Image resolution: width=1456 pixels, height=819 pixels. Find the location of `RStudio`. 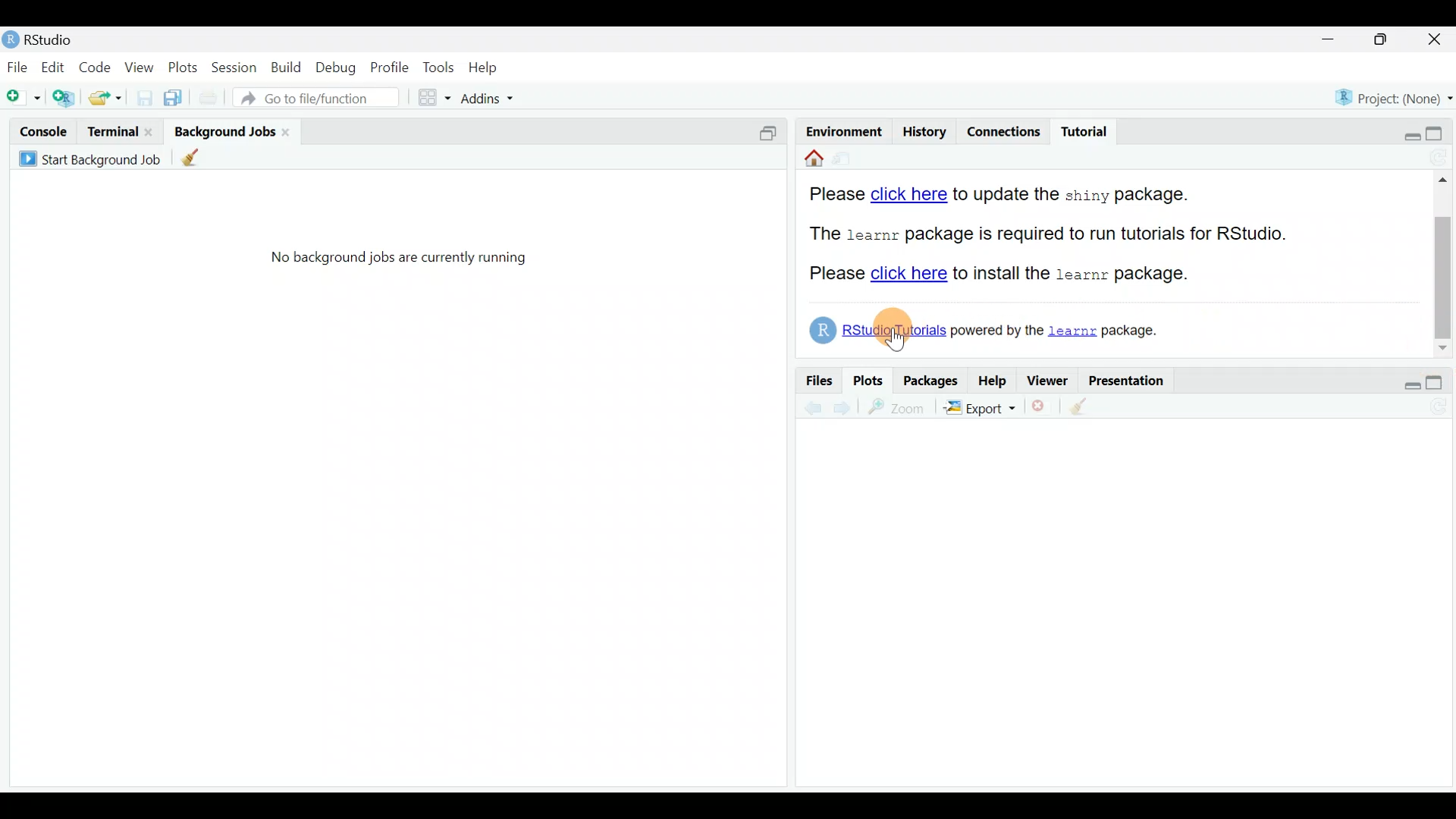

RStudio is located at coordinates (44, 39).